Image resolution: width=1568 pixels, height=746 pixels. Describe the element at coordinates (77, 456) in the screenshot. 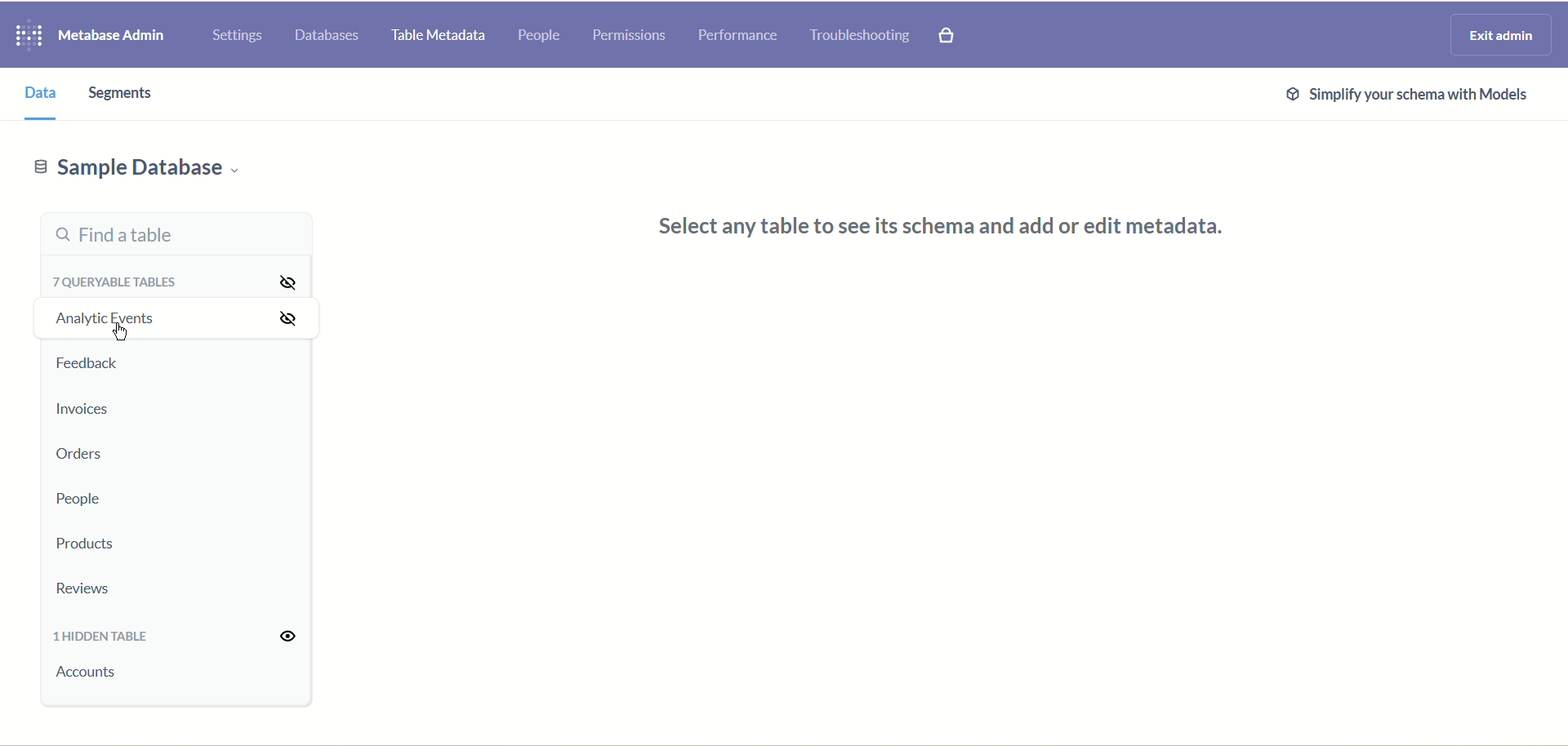

I see `orders` at that location.